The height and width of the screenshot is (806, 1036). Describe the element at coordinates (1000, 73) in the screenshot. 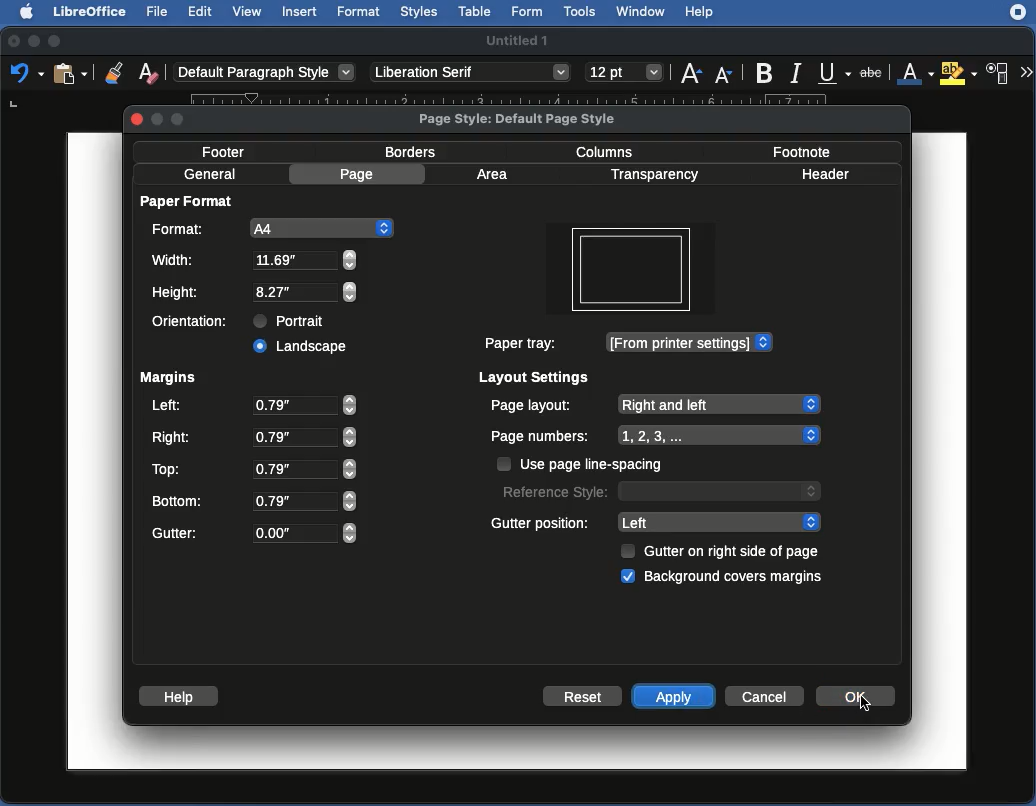

I see `Character` at that location.